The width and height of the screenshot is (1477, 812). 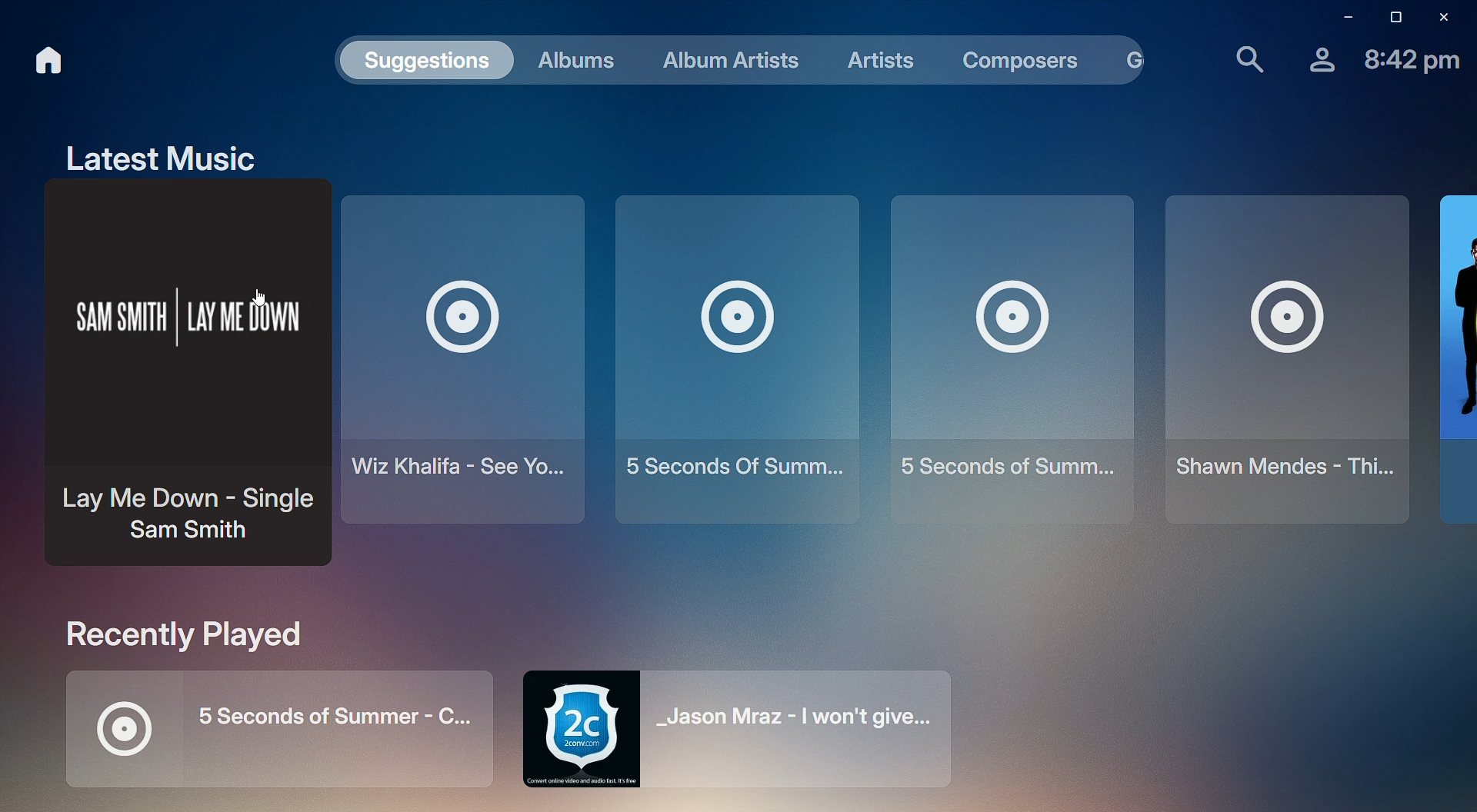 What do you see at coordinates (429, 60) in the screenshot?
I see `Suggestions` at bounding box center [429, 60].